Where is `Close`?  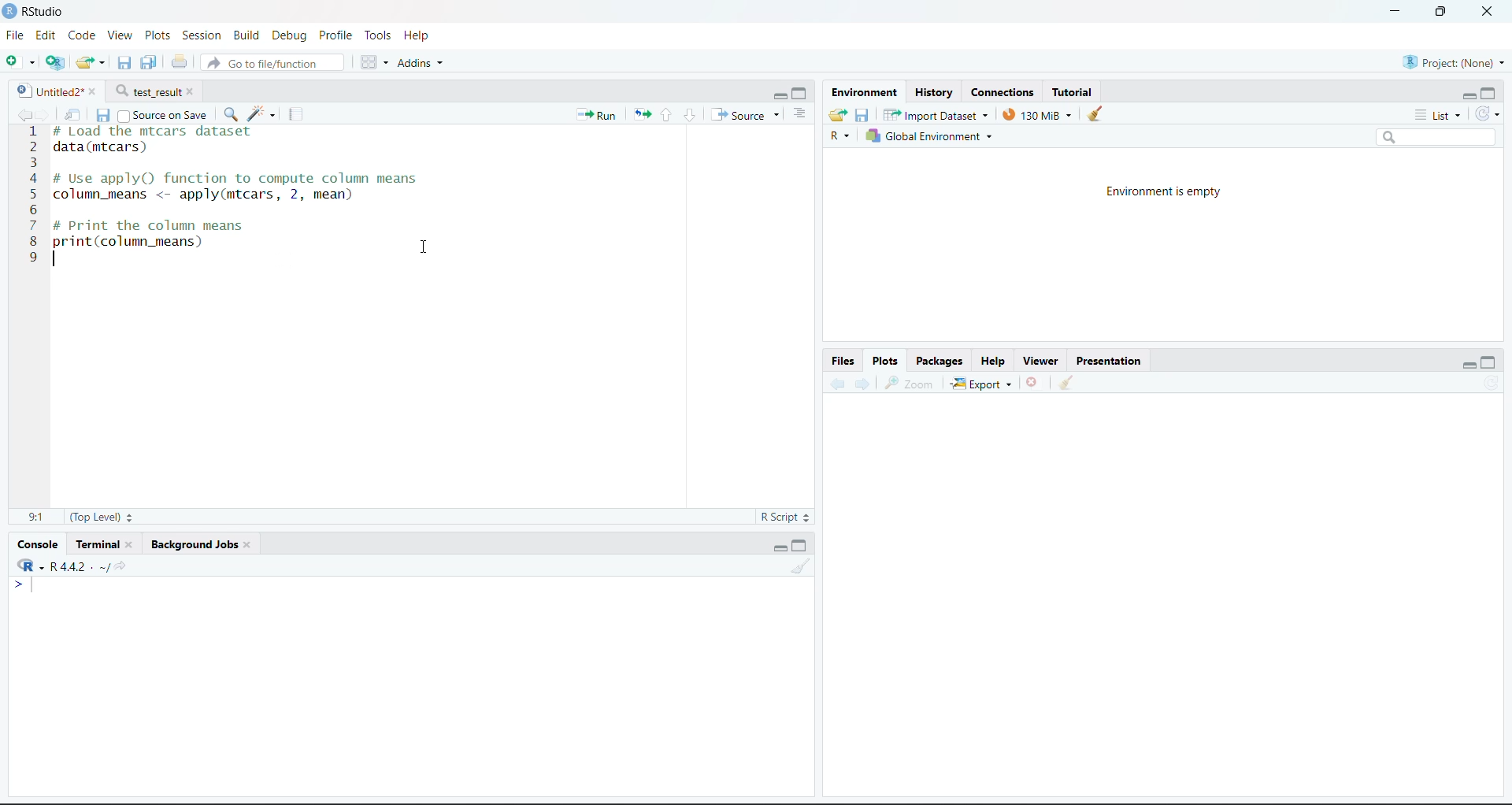 Close is located at coordinates (1033, 379).